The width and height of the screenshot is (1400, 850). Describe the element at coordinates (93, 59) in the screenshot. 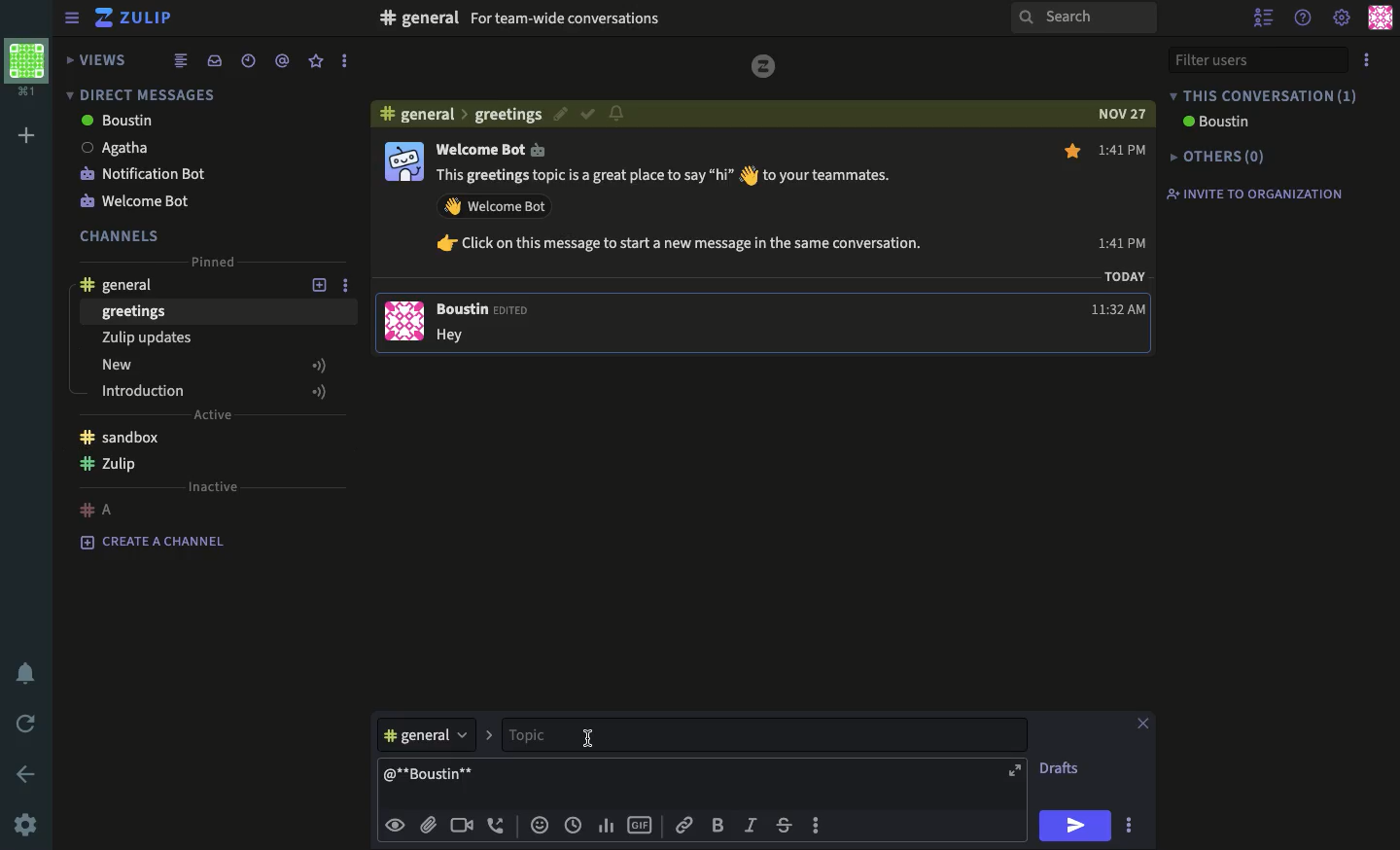

I see `views` at that location.